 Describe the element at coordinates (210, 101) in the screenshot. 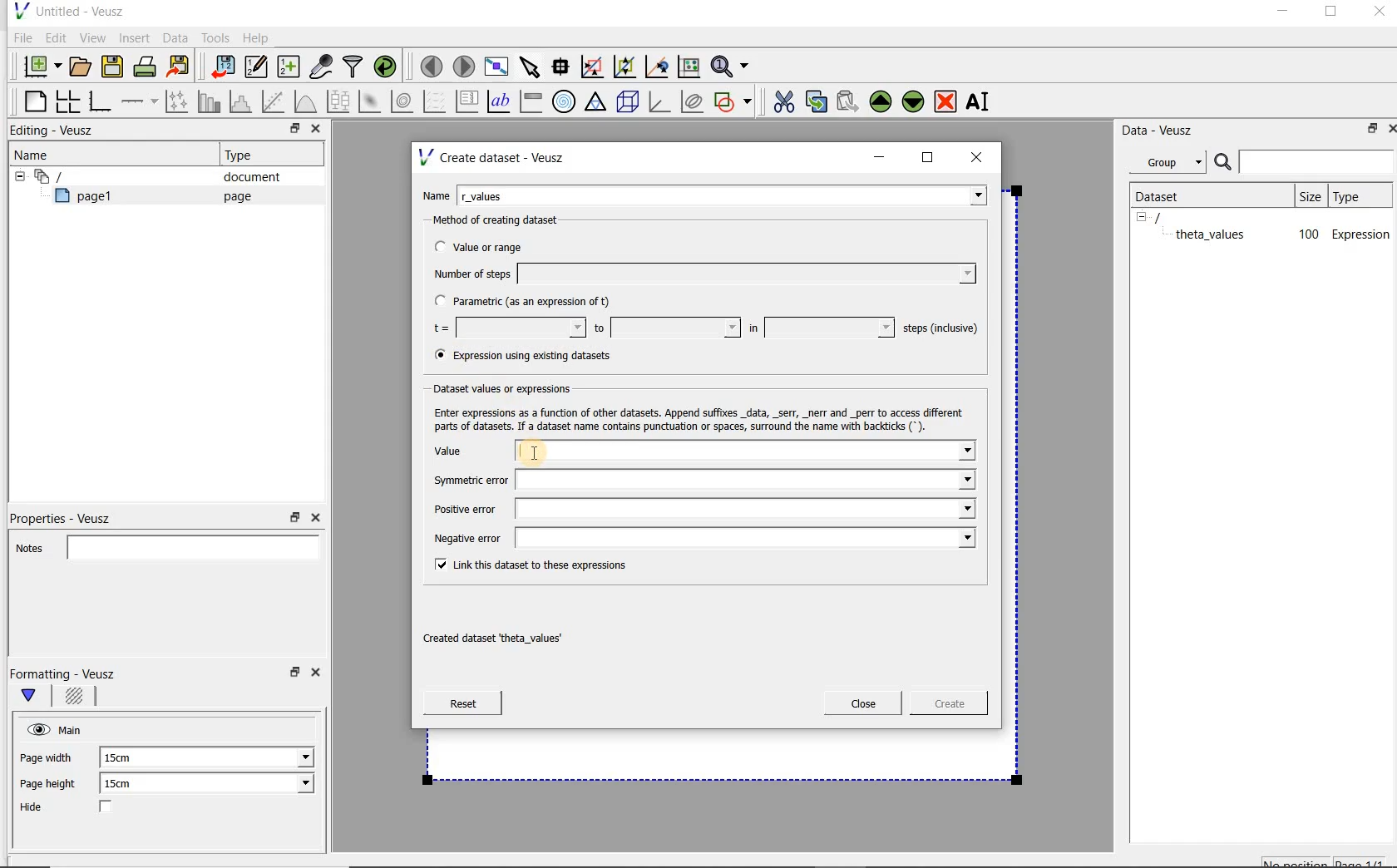

I see `plot bar charts` at that location.